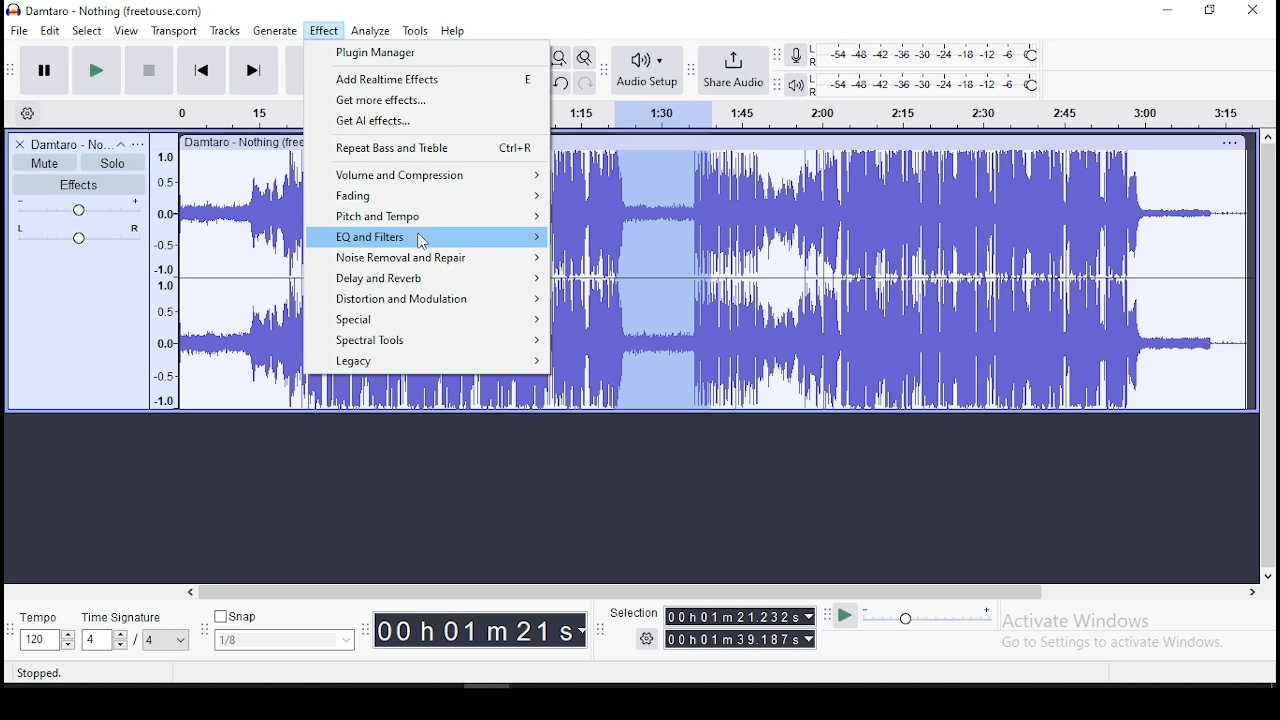 The width and height of the screenshot is (1280, 720). What do you see at coordinates (8, 629) in the screenshot?
I see `` at bounding box center [8, 629].